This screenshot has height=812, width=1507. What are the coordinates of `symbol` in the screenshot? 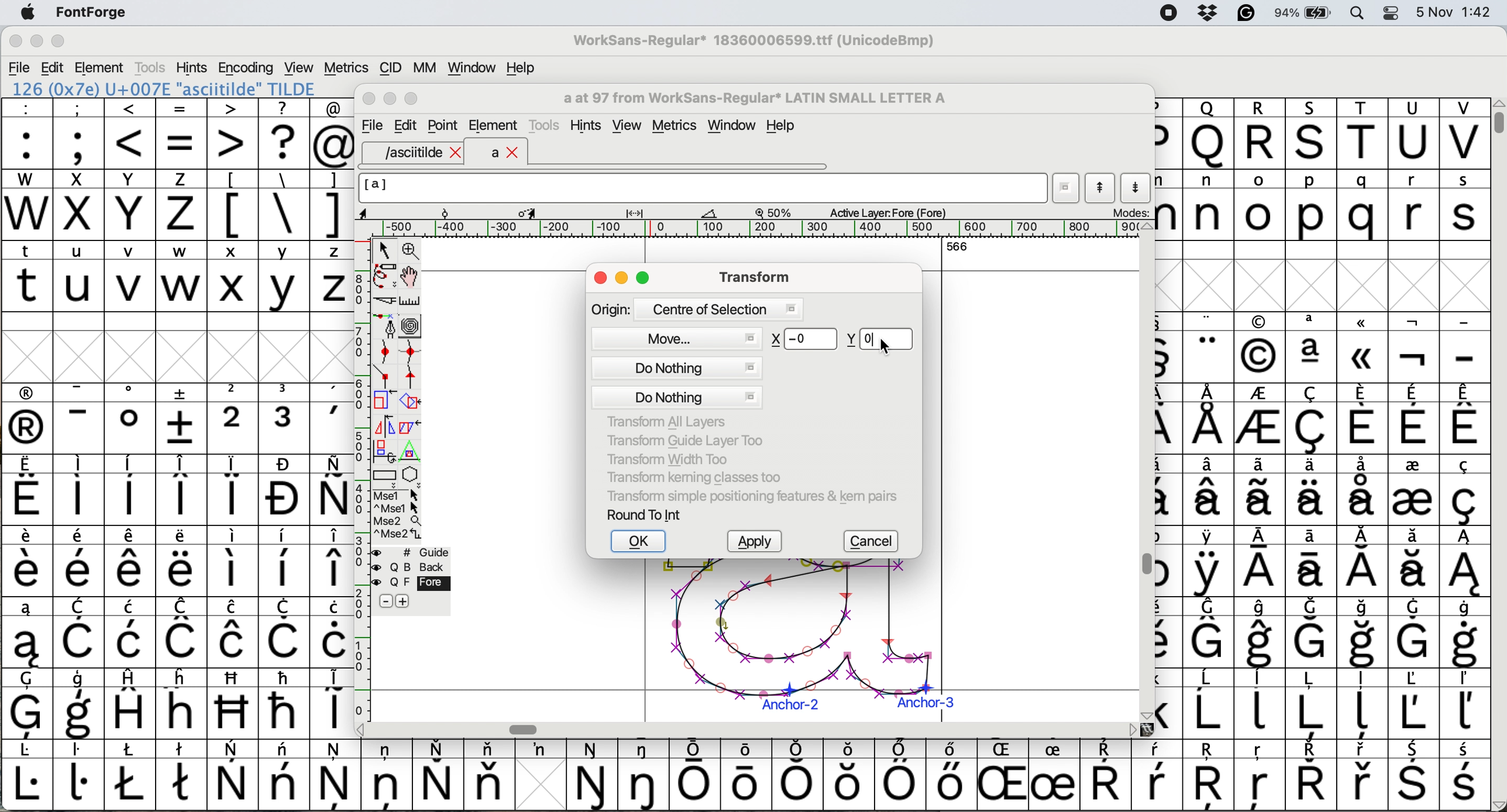 It's located at (540, 749).